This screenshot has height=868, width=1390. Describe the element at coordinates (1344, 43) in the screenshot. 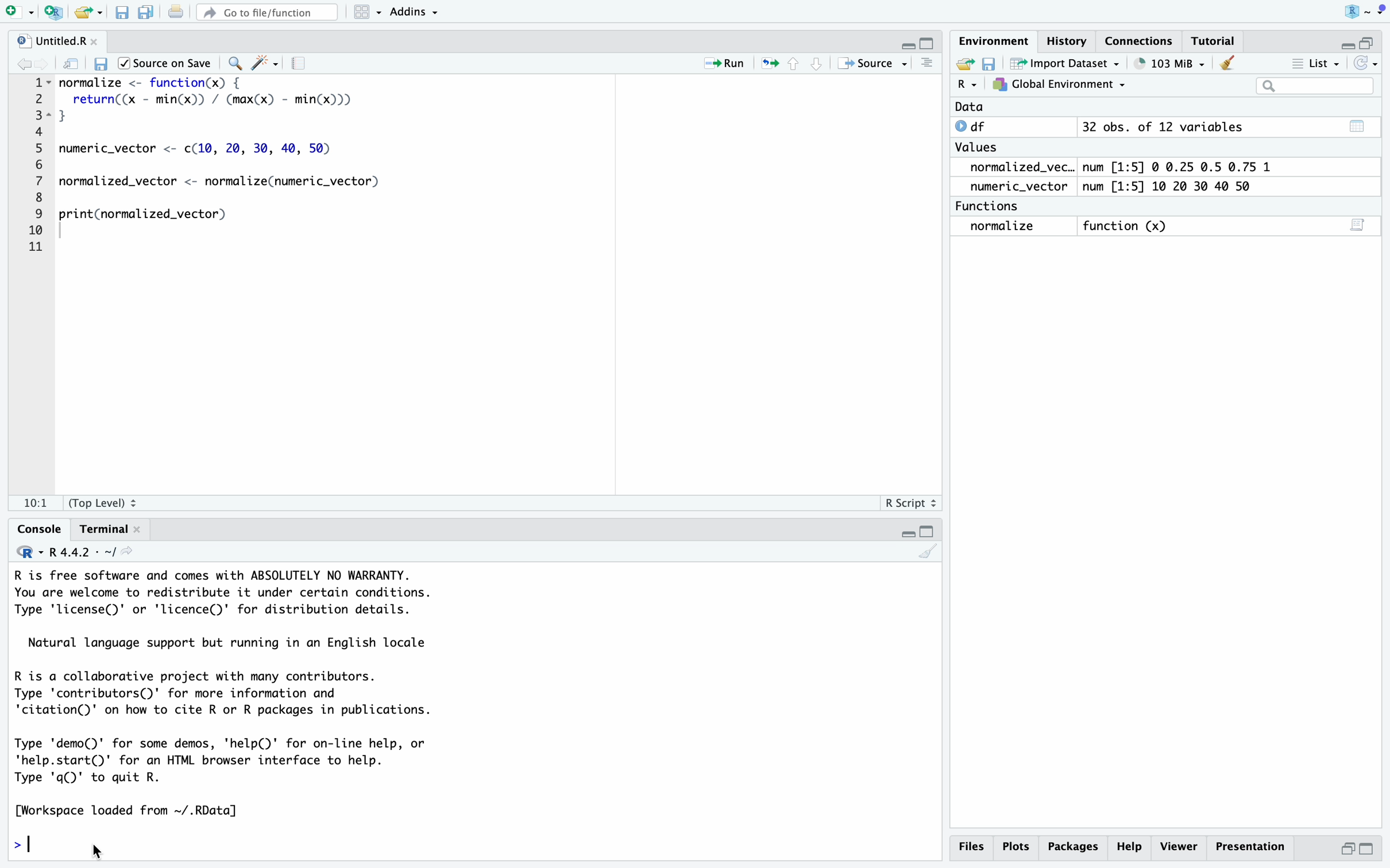

I see `minimize` at that location.